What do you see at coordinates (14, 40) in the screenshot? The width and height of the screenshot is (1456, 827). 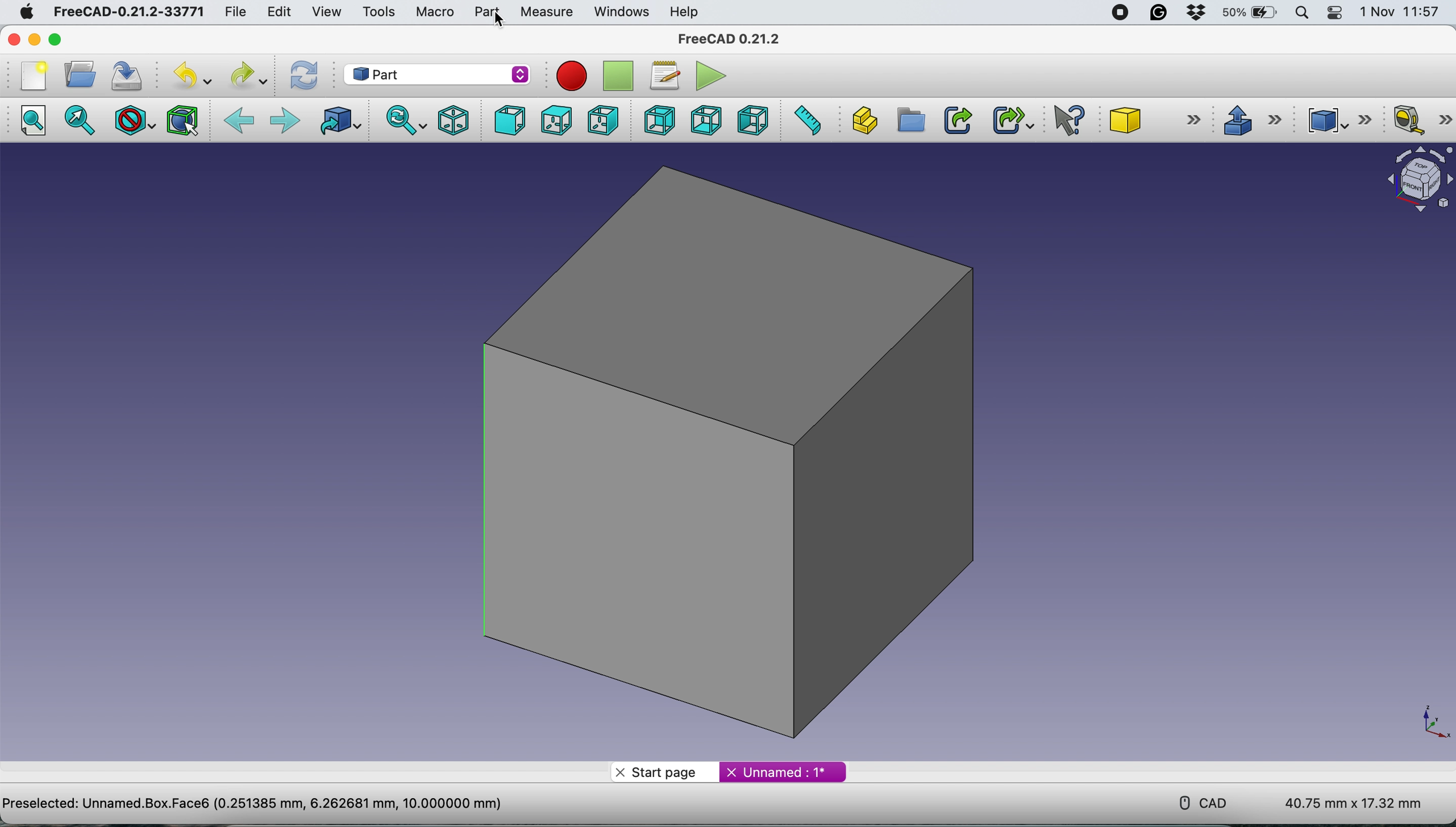 I see `close` at bounding box center [14, 40].